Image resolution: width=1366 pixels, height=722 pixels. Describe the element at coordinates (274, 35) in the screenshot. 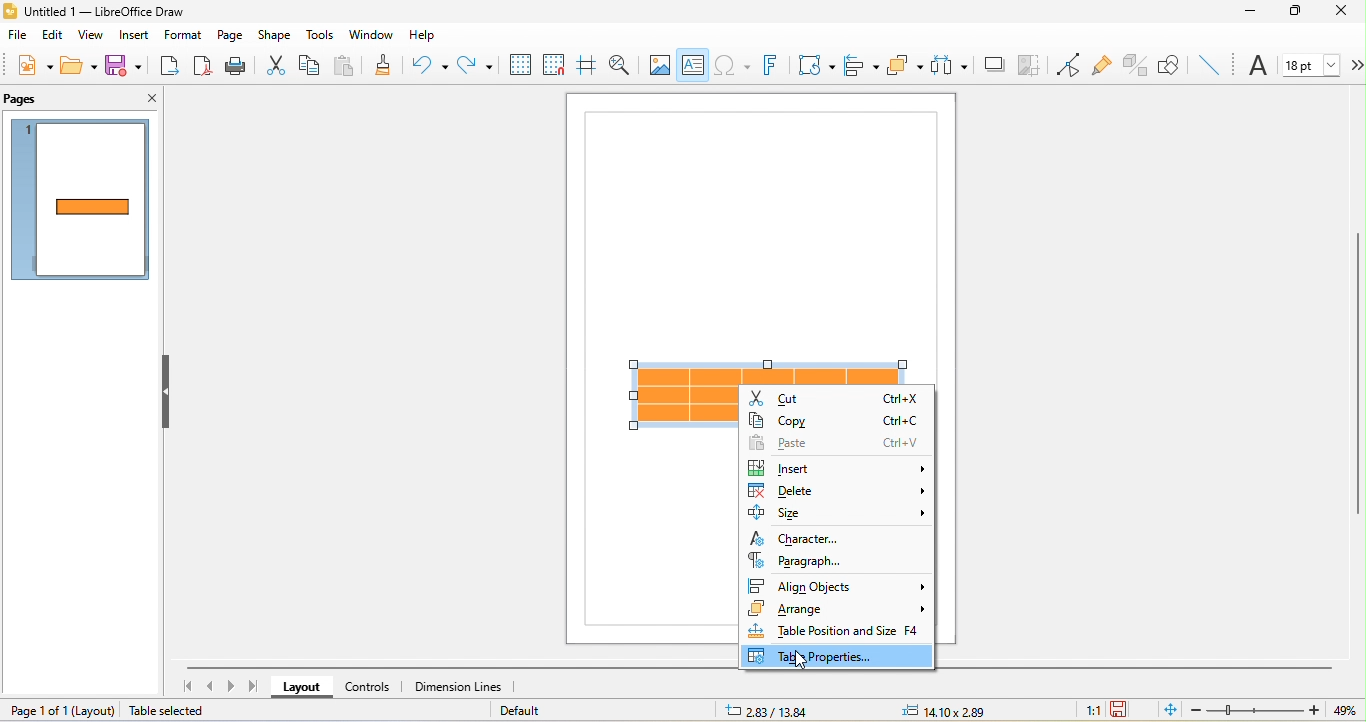

I see `shape` at that location.